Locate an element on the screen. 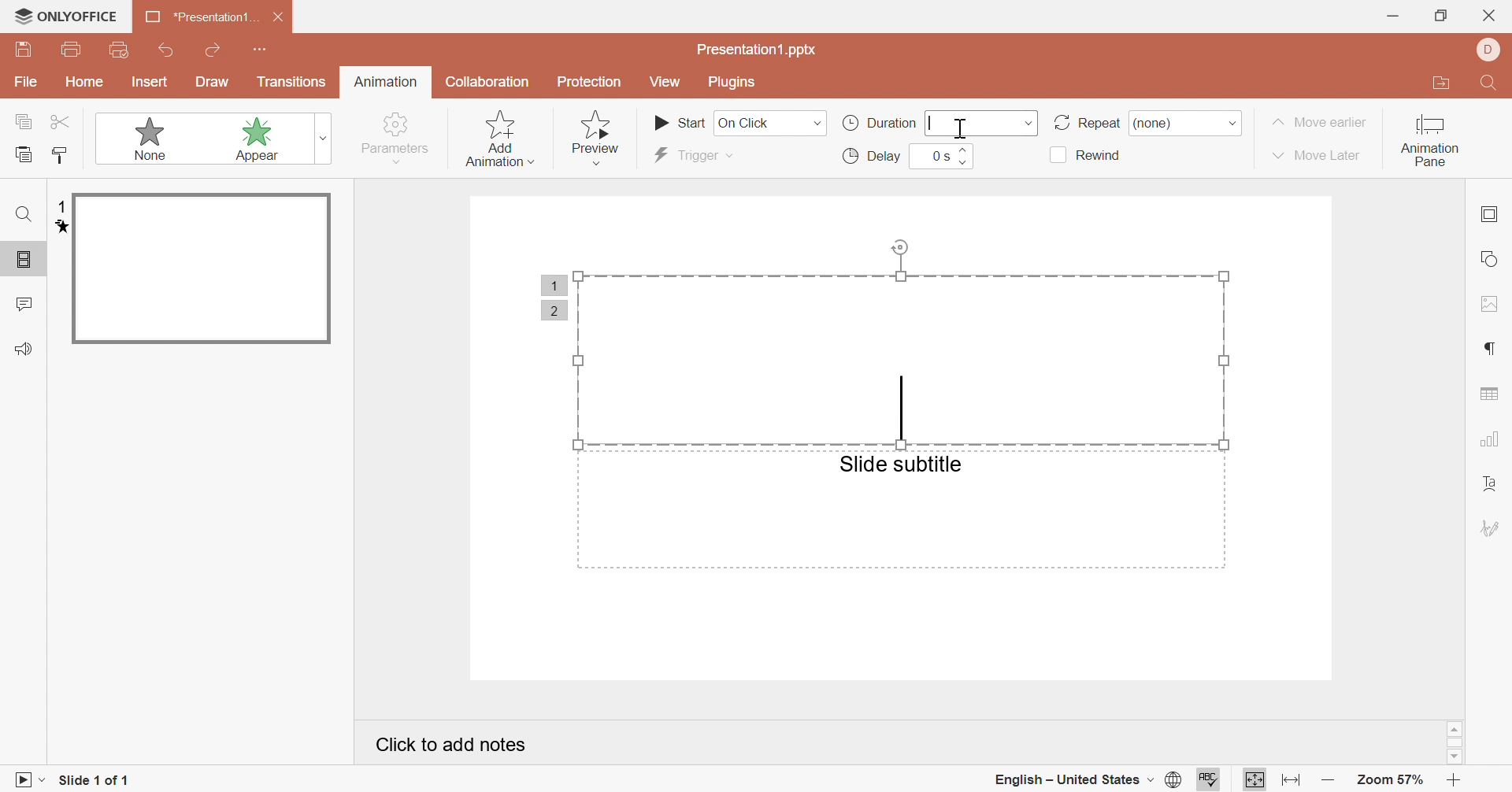 The width and height of the screenshot is (1512, 792). zoom in is located at coordinates (1457, 781).